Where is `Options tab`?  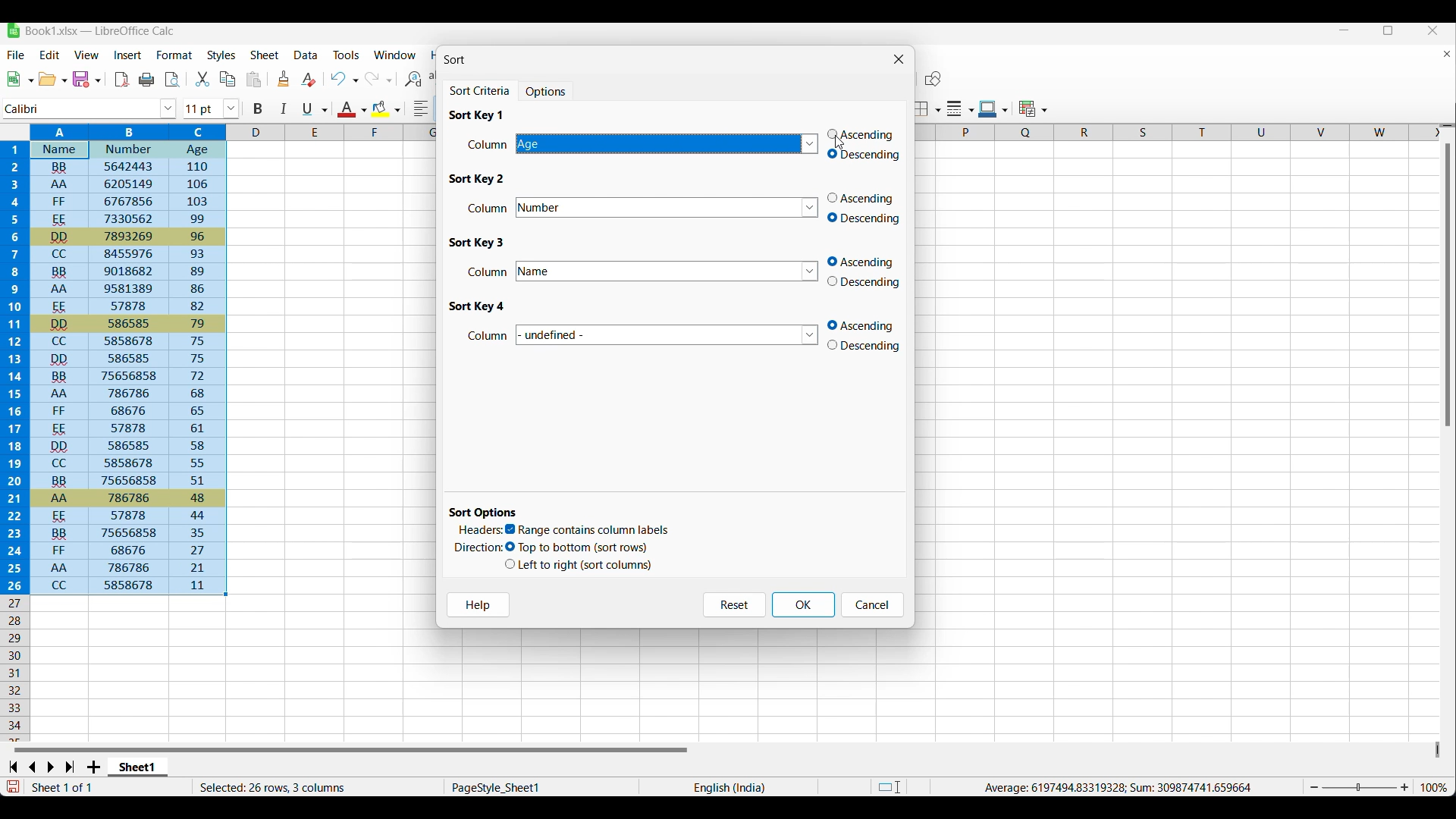 Options tab is located at coordinates (547, 90).